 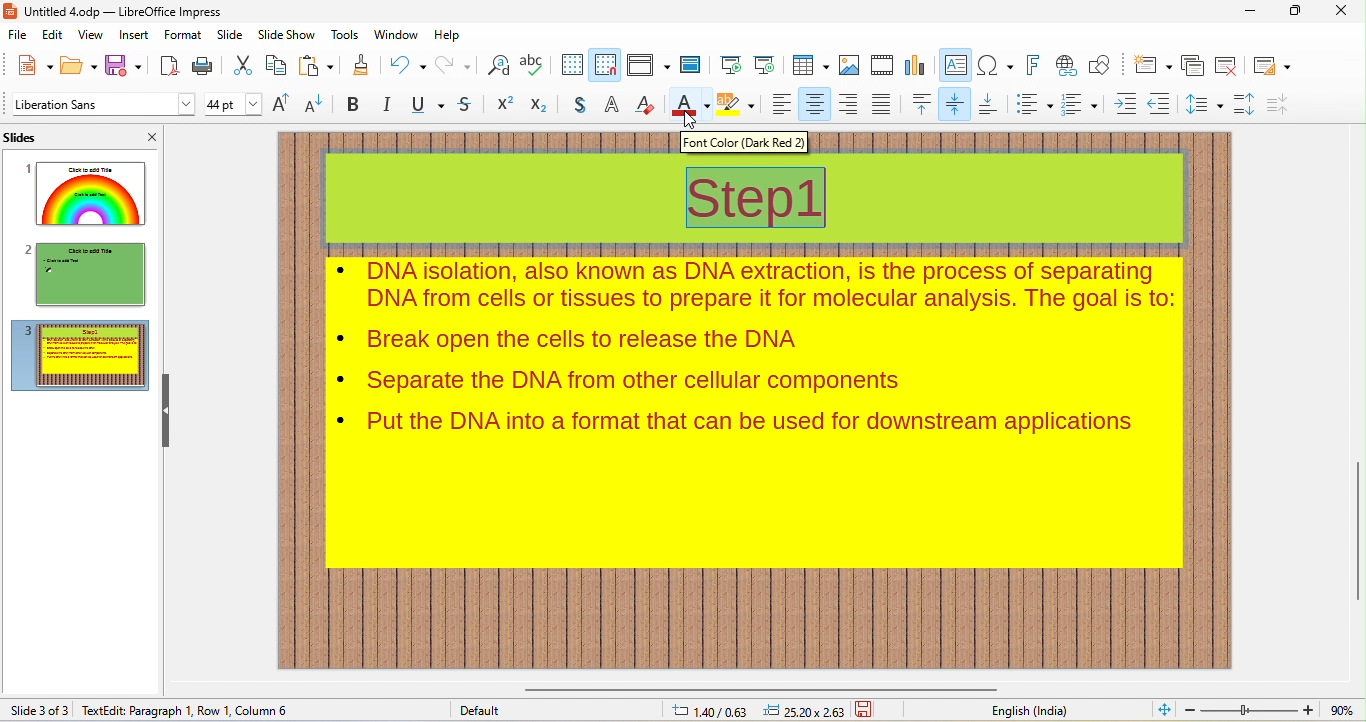 I want to click on numbered, so click(x=1083, y=104).